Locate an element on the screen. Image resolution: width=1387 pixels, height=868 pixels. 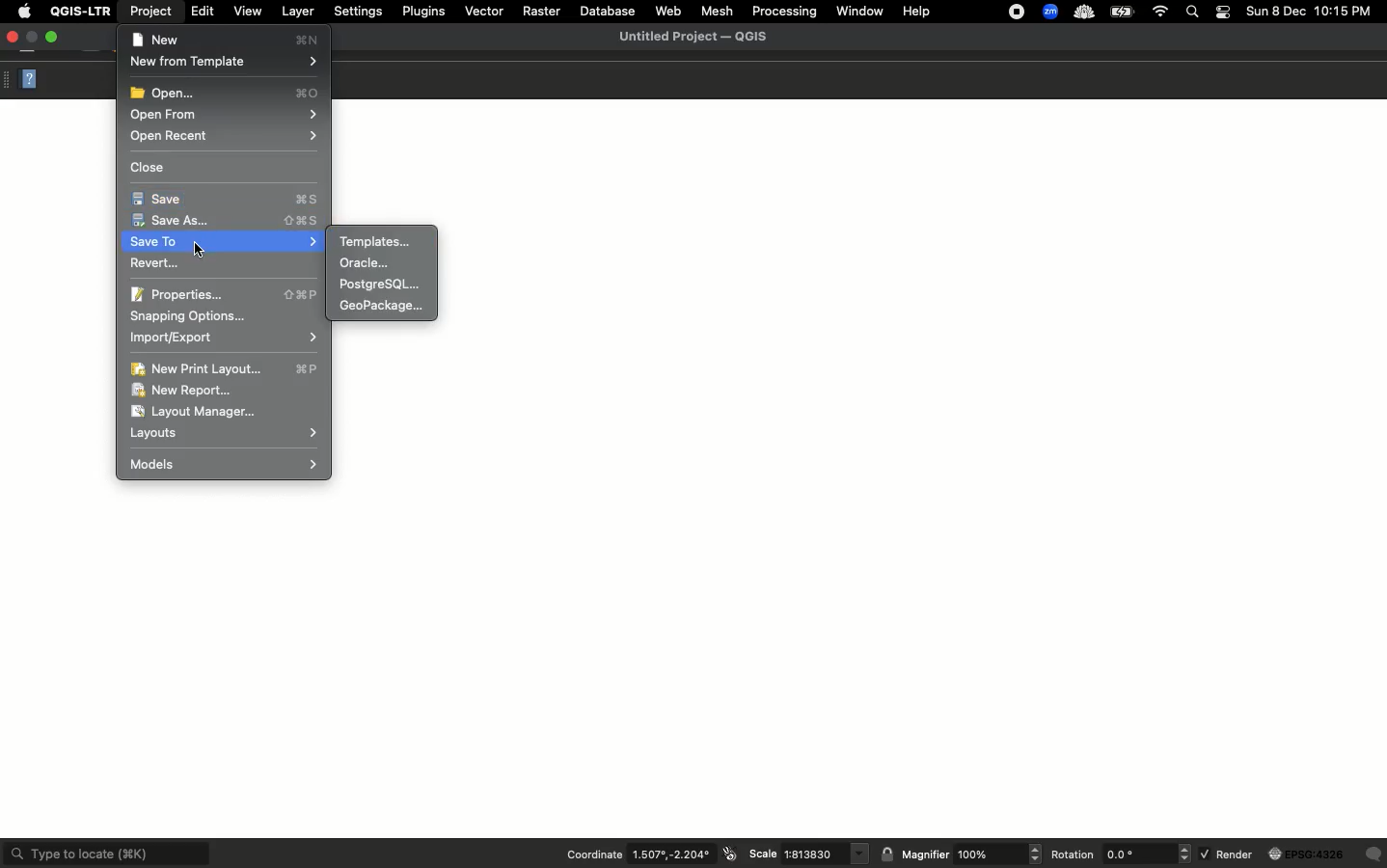
Close is located at coordinates (14, 38).